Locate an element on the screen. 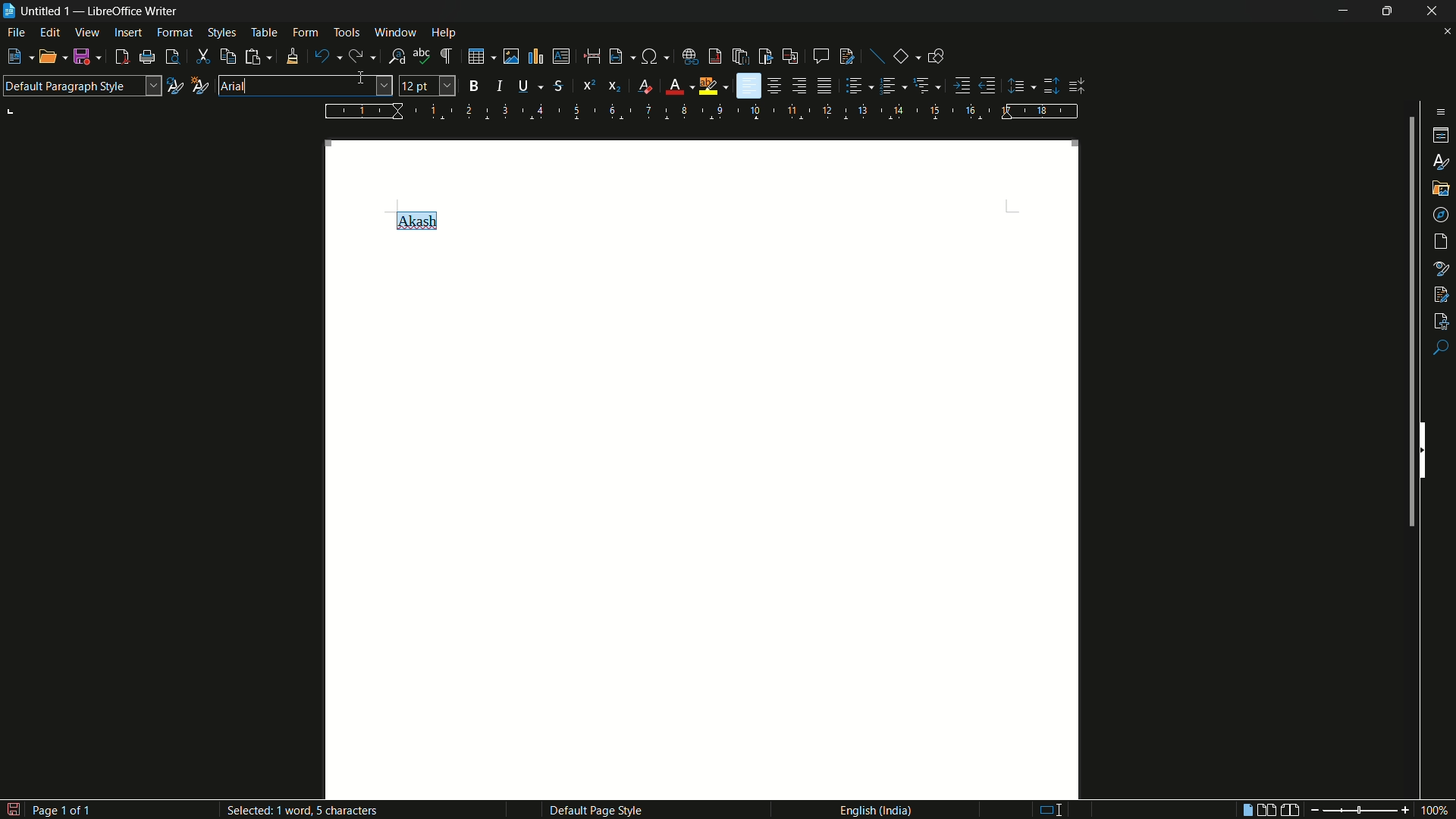 The image size is (1456, 819). styles menu is located at coordinates (221, 33).